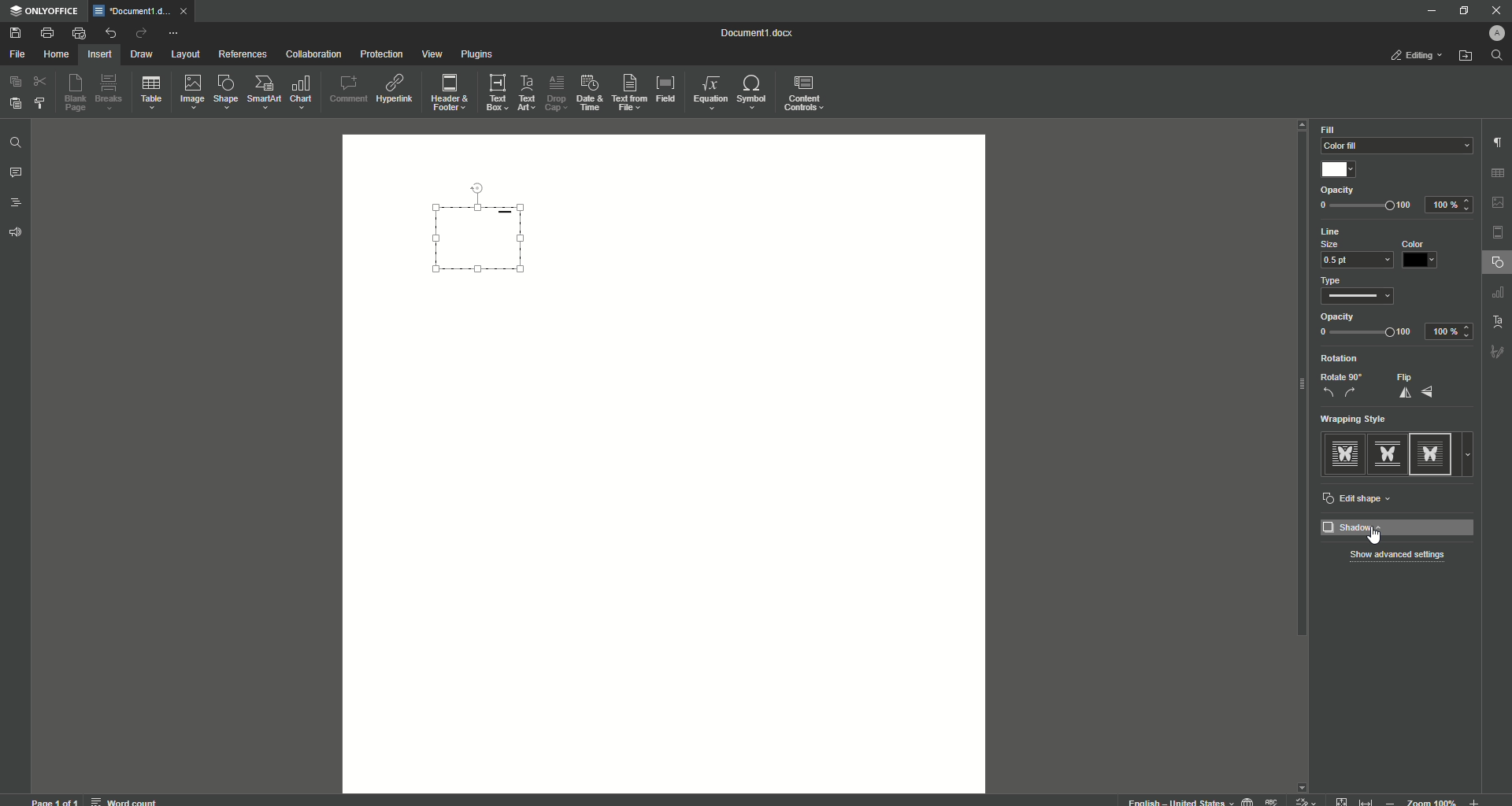 This screenshot has width=1512, height=806. Describe the element at coordinates (1361, 420) in the screenshot. I see `Wrapping Style` at that location.